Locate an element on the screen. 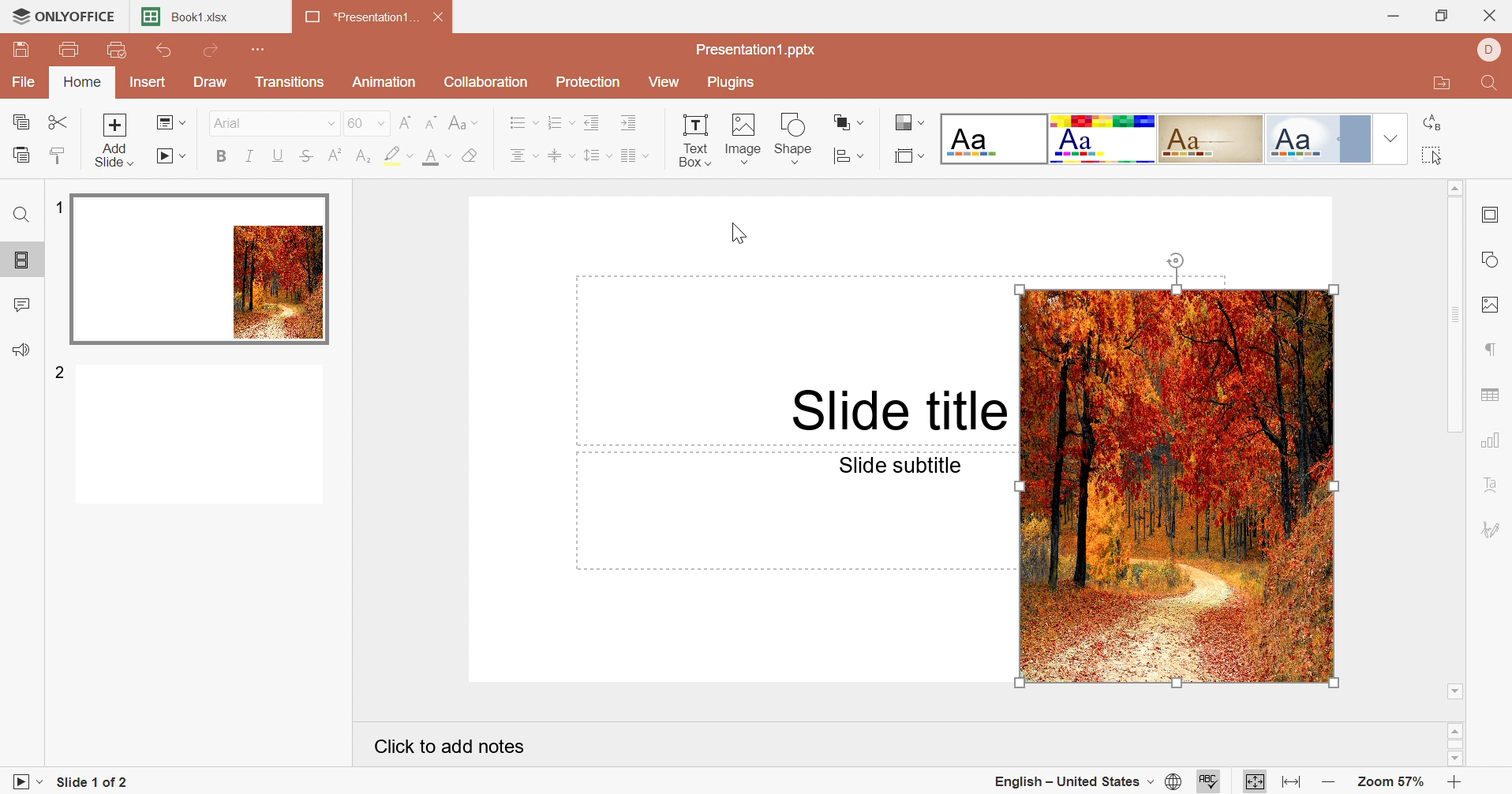  Text Box is located at coordinates (687, 139).